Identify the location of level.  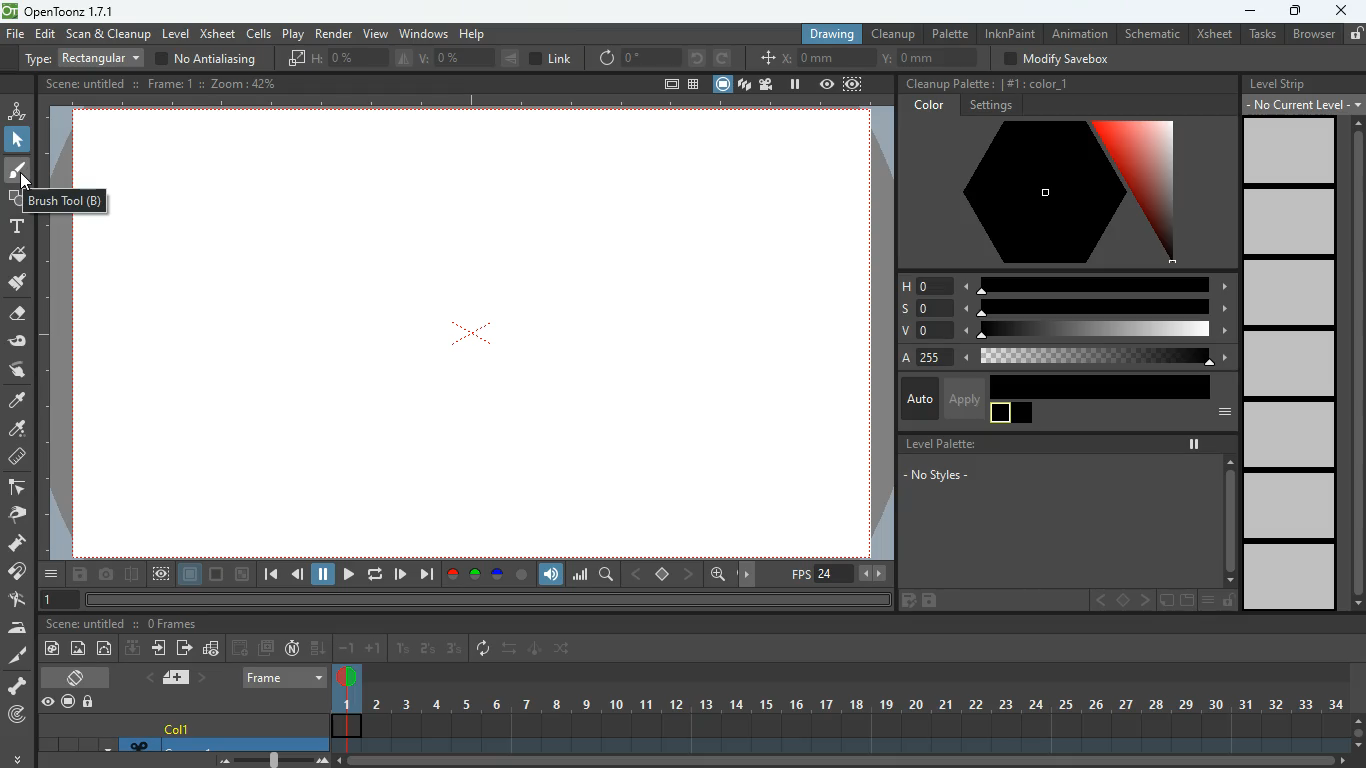
(175, 34).